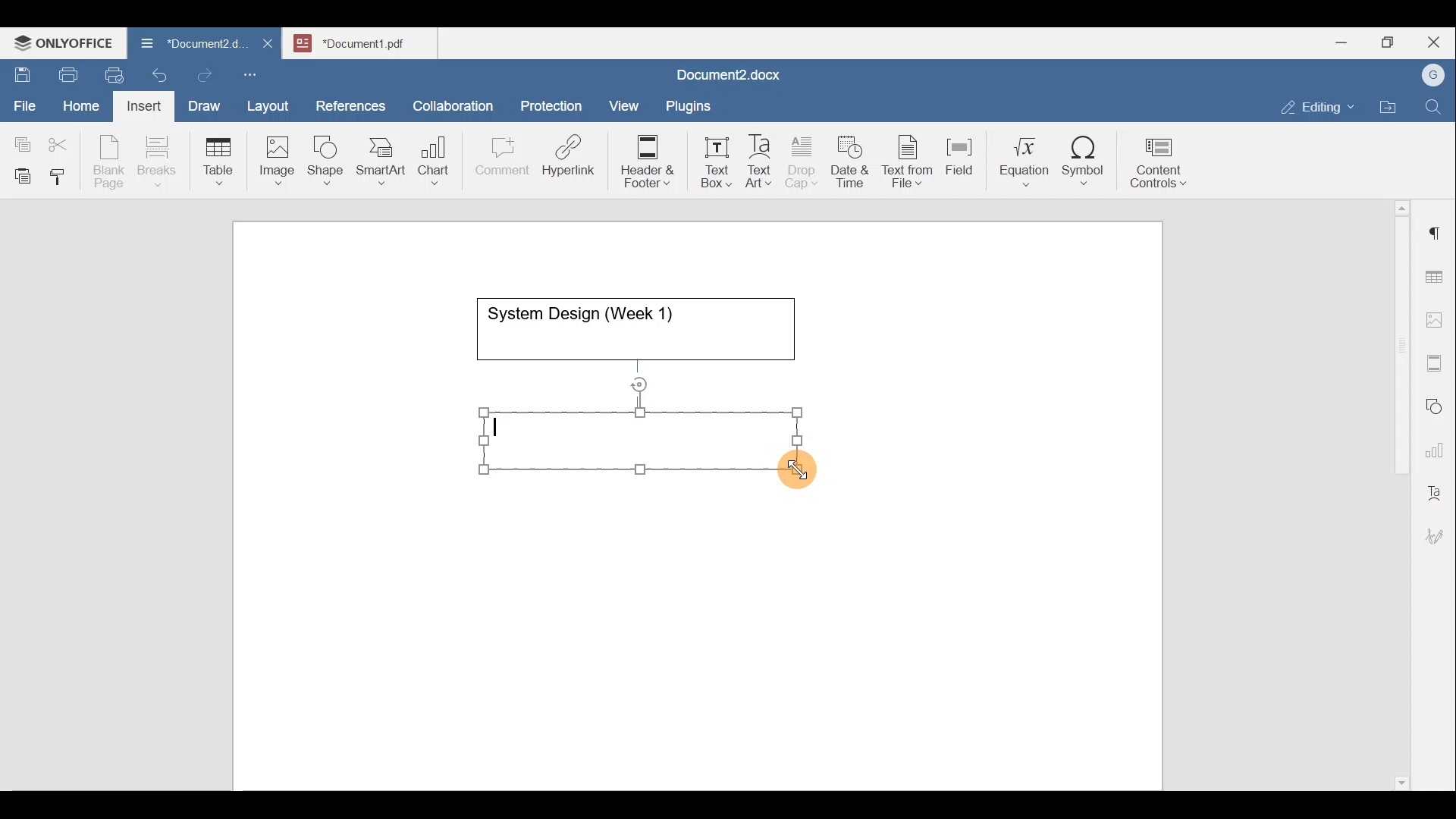 This screenshot has width=1456, height=819. I want to click on Document name, so click(725, 77).